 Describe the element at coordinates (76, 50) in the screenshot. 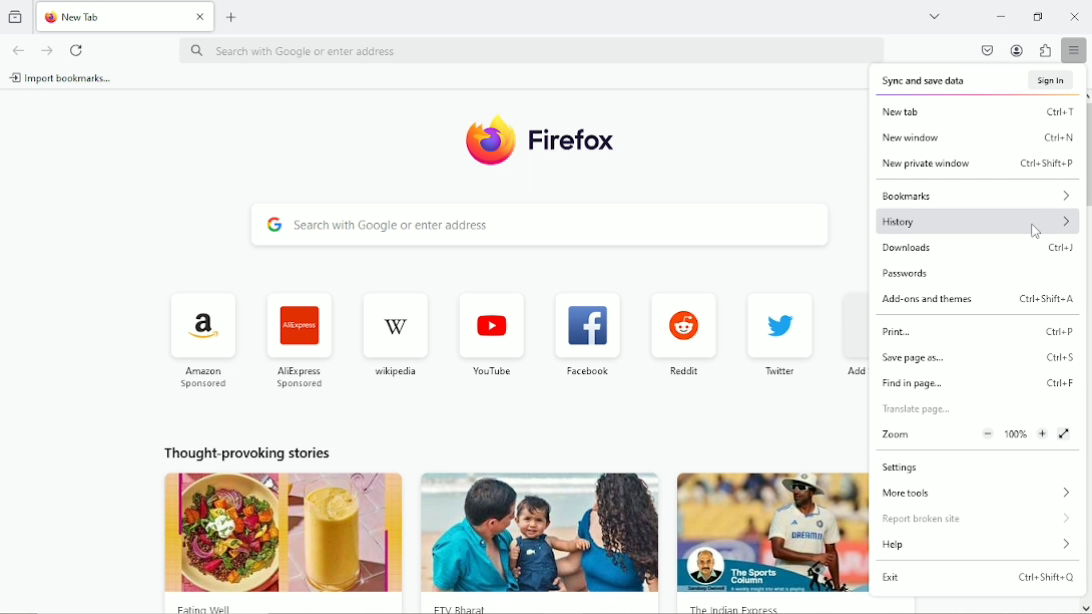

I see `reload current page` at that location.